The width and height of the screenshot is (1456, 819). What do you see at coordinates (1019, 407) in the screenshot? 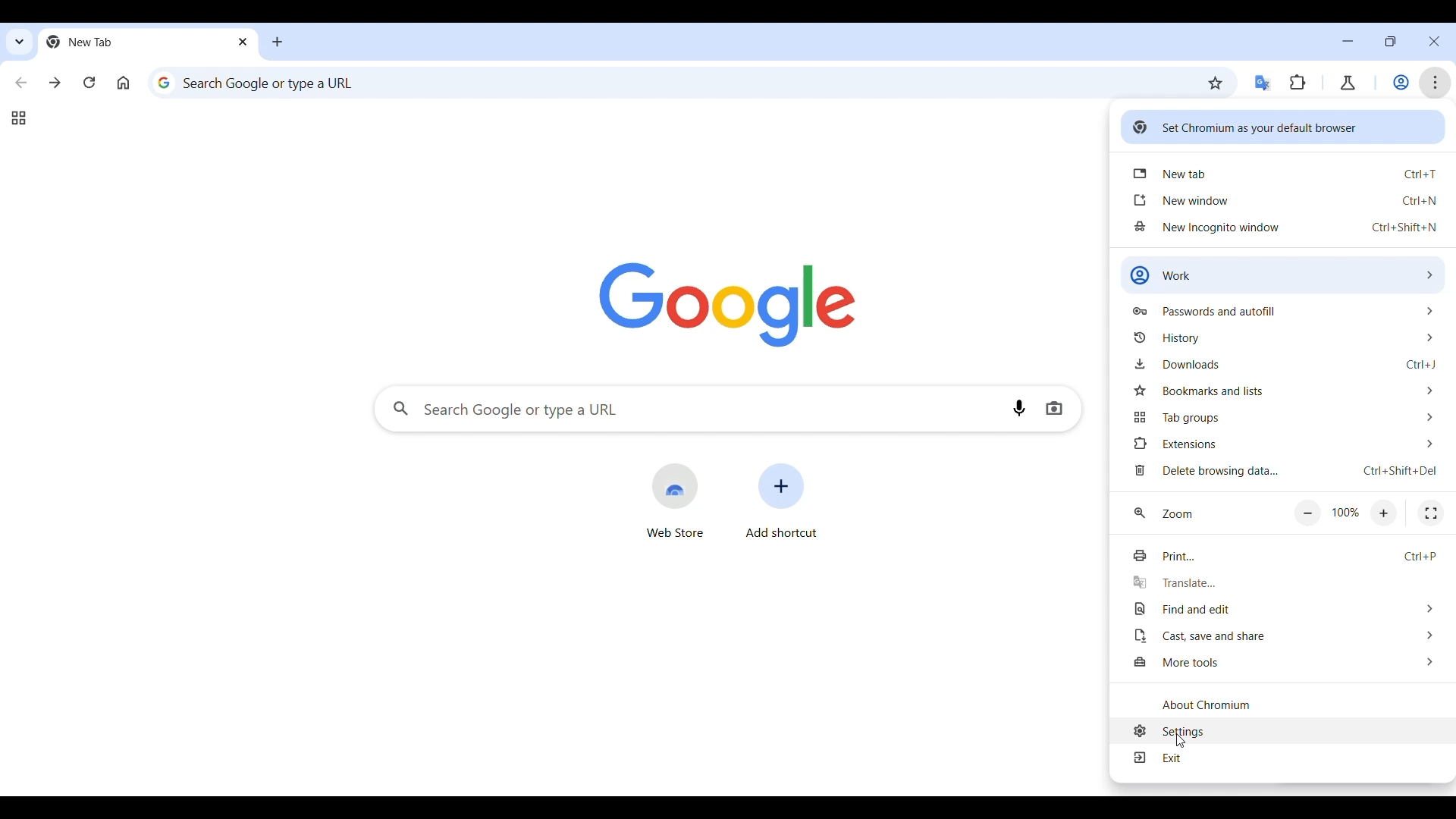
I see `Search by voice` at bounding box center [1019, 407].